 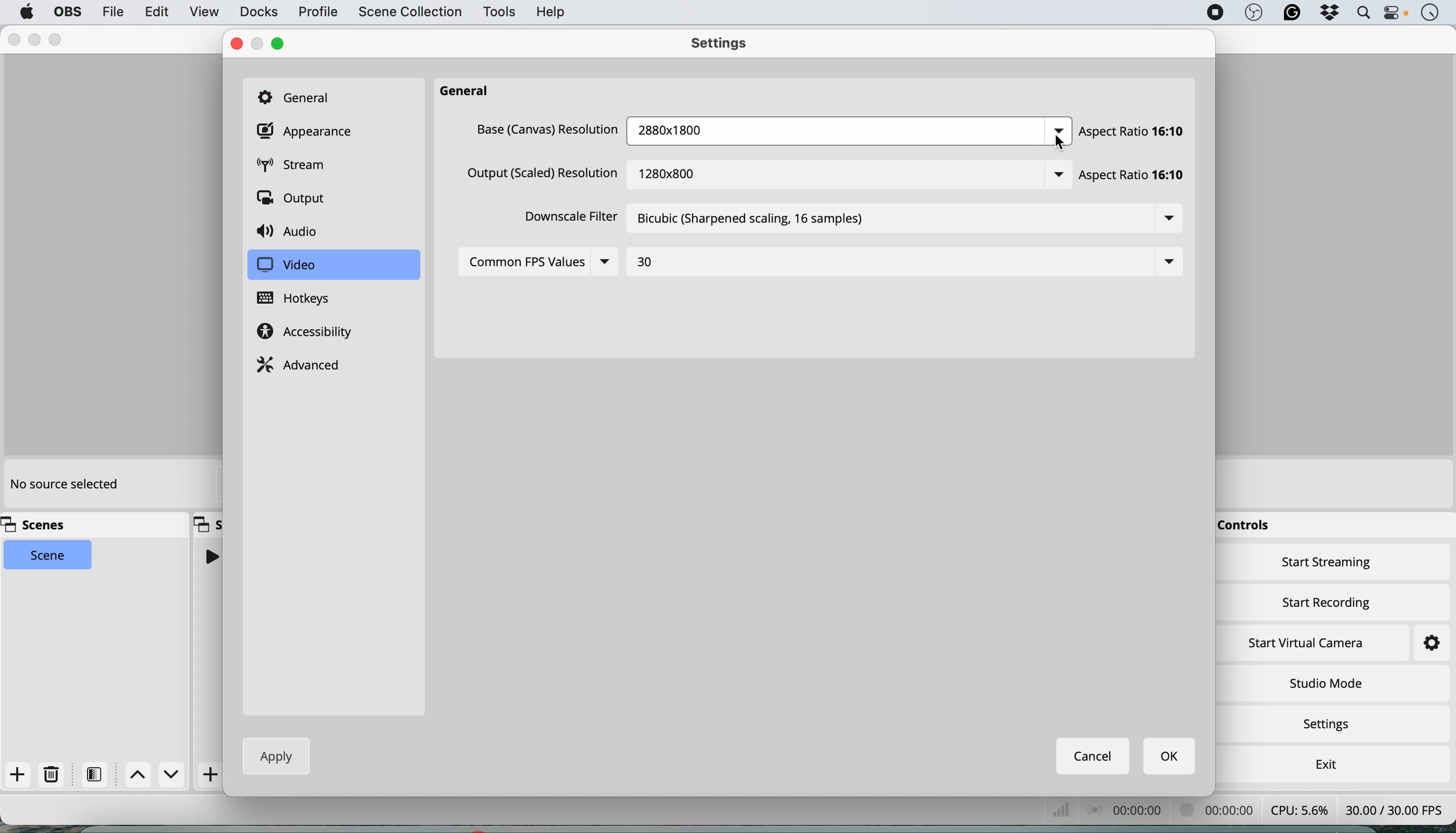 What do you see at coordinates (39, 525) in the screenshot?
I see `scenes` at bounding box center [39, 525].